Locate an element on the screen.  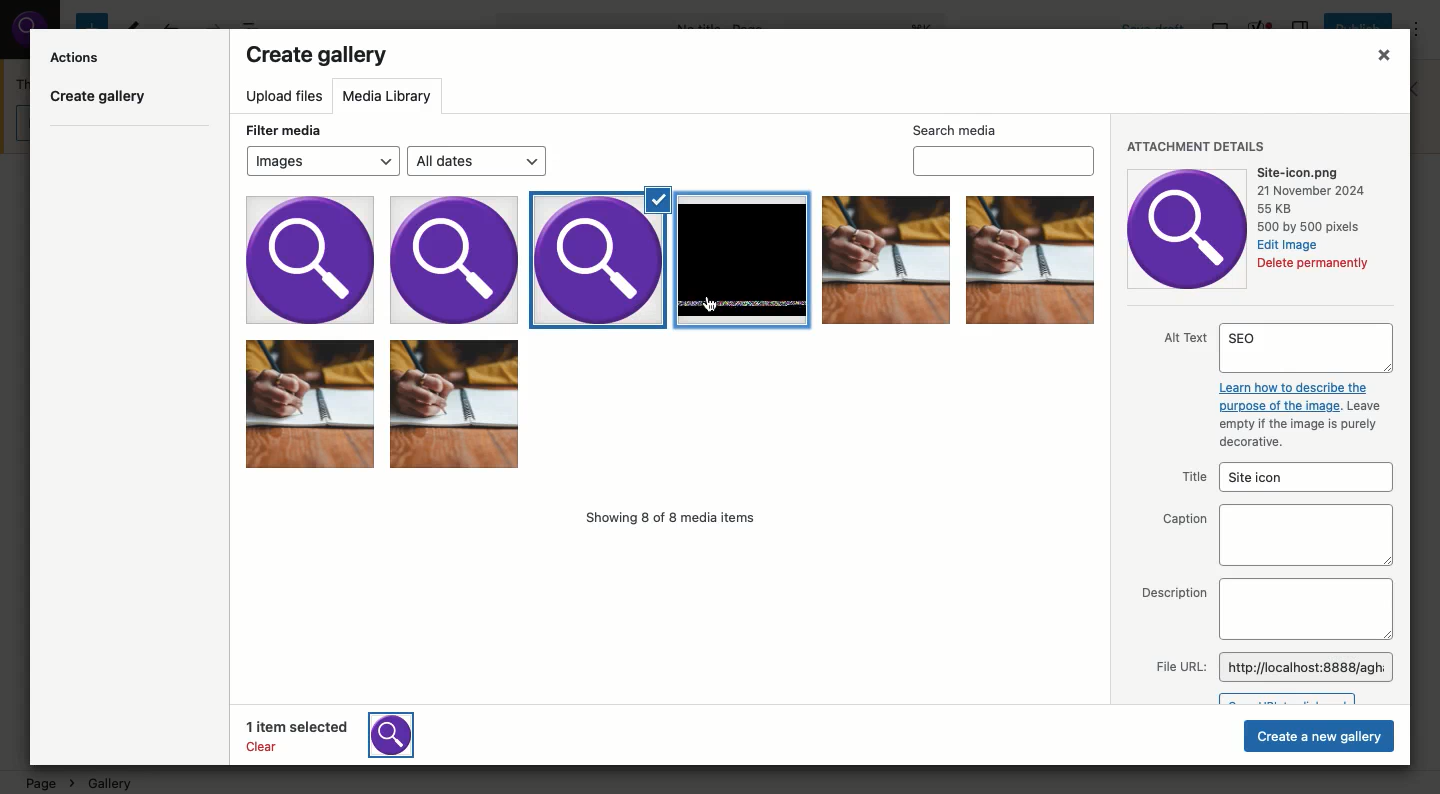
Selected is located at coordinates (600, 254).